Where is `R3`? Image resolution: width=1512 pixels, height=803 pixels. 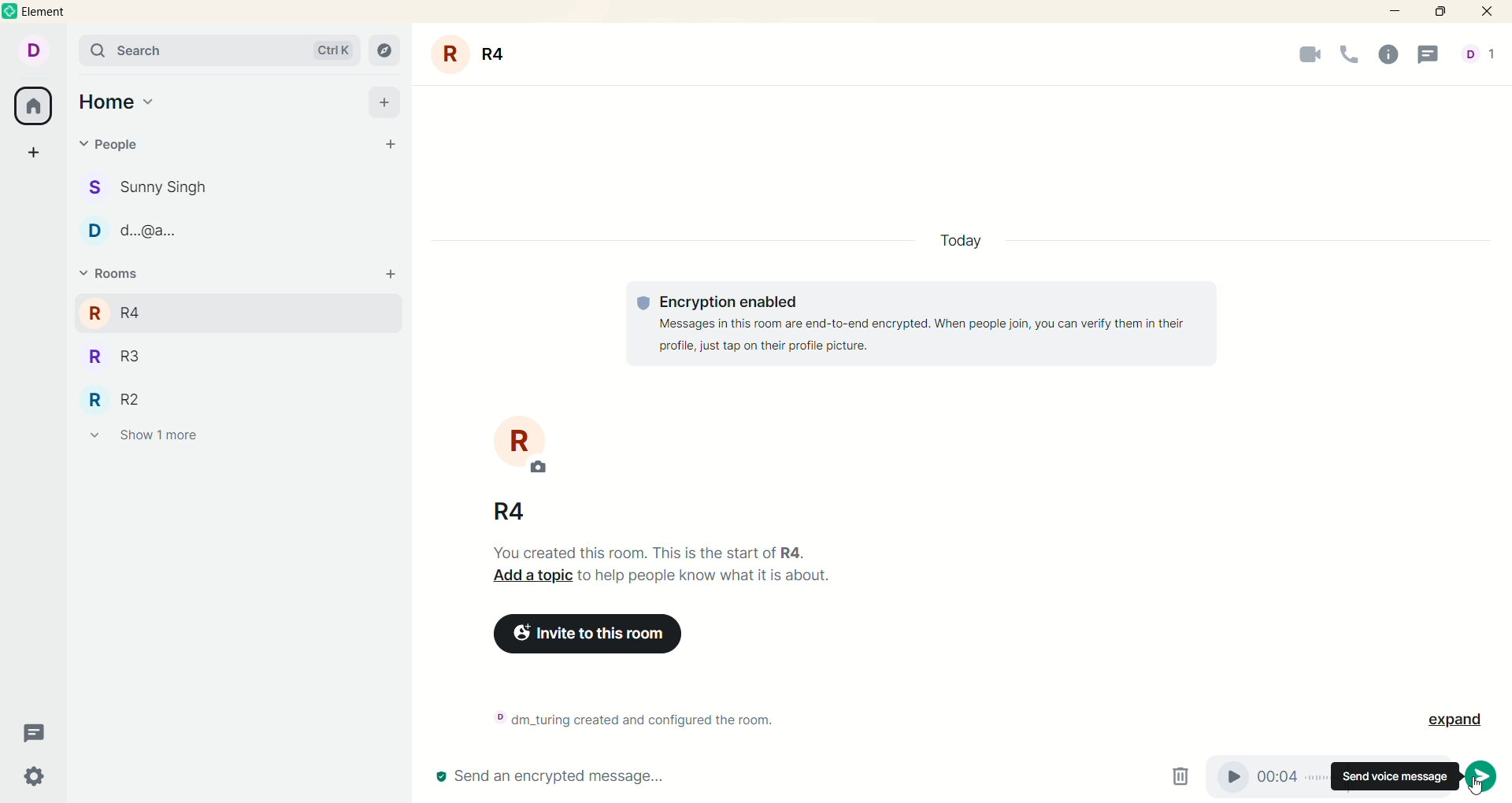 R3 is located at coordinates (137, 358).